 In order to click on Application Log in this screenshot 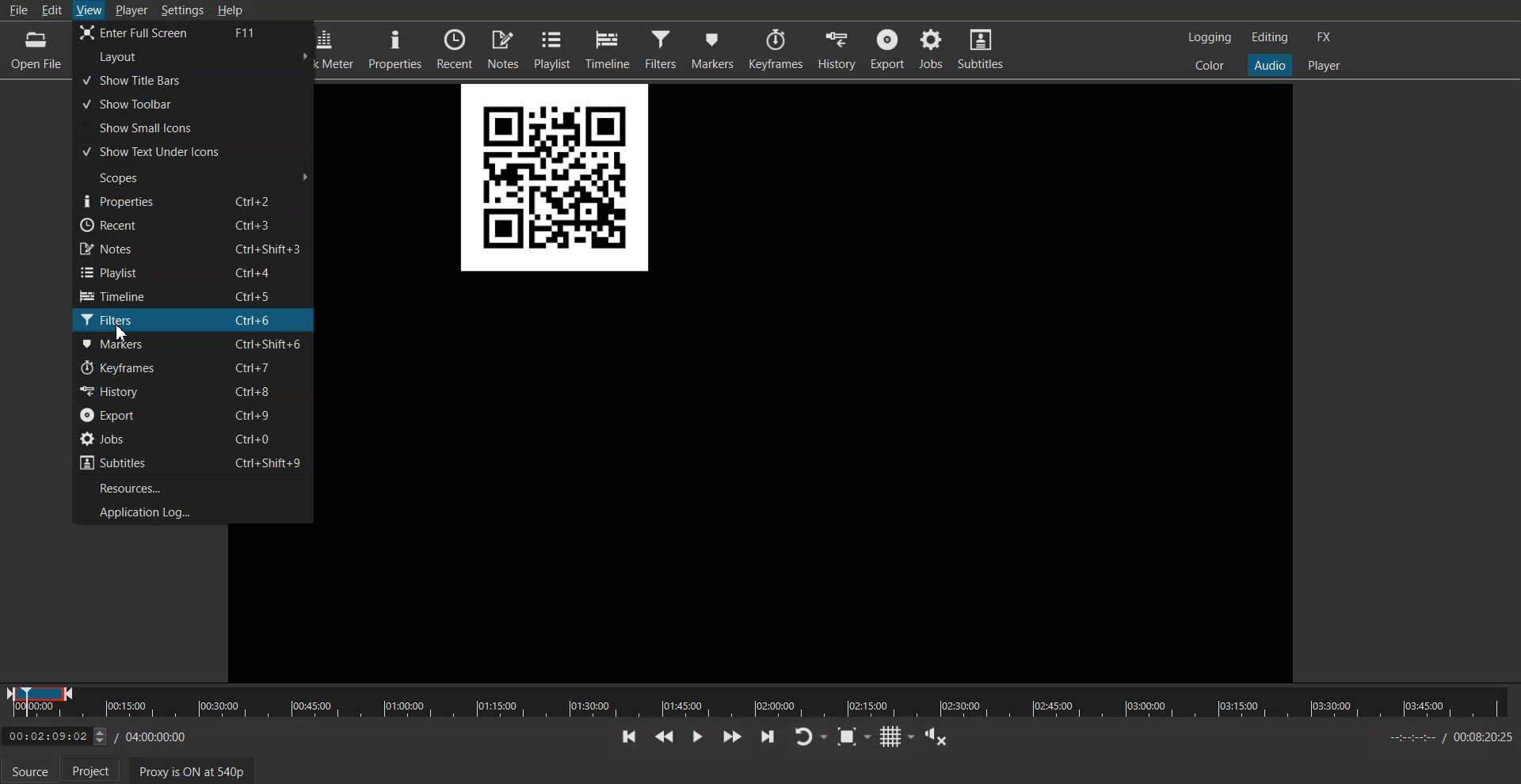, I will do `click(193, 512)`.